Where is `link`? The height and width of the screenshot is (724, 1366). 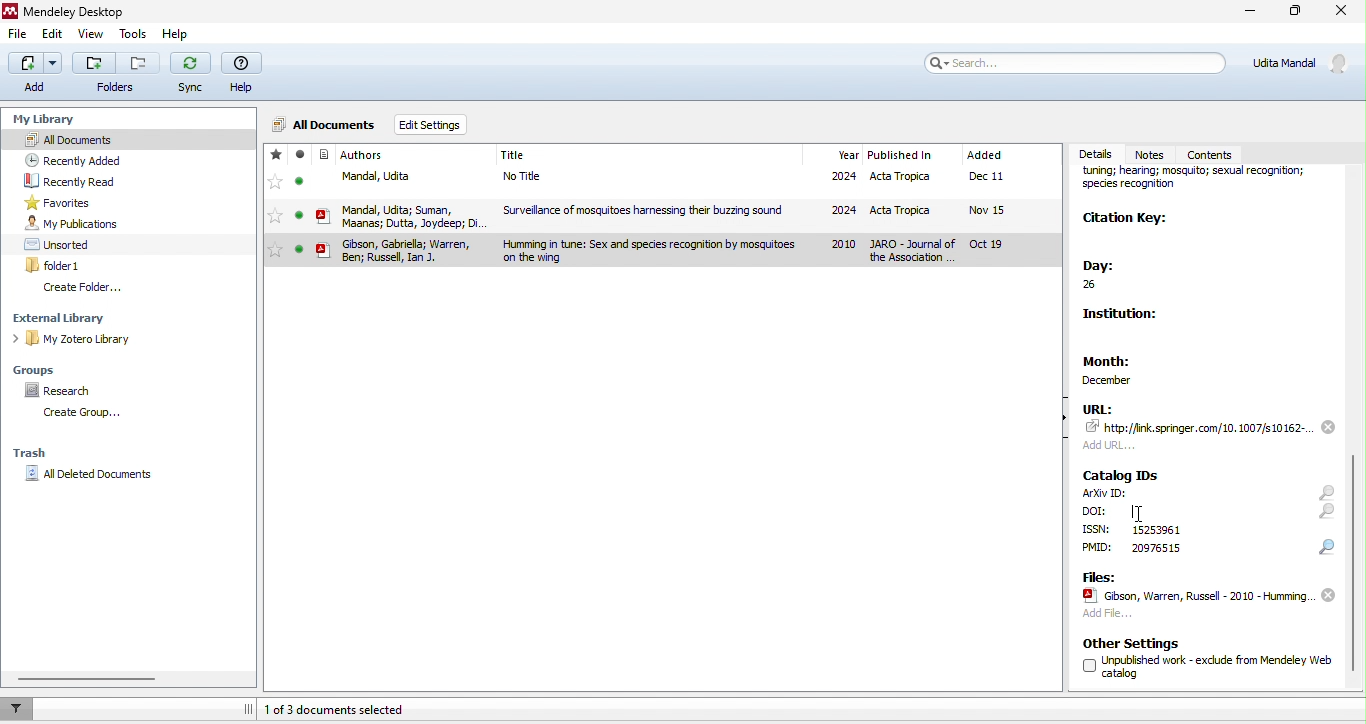 link is located at coordinates (1200, 427).